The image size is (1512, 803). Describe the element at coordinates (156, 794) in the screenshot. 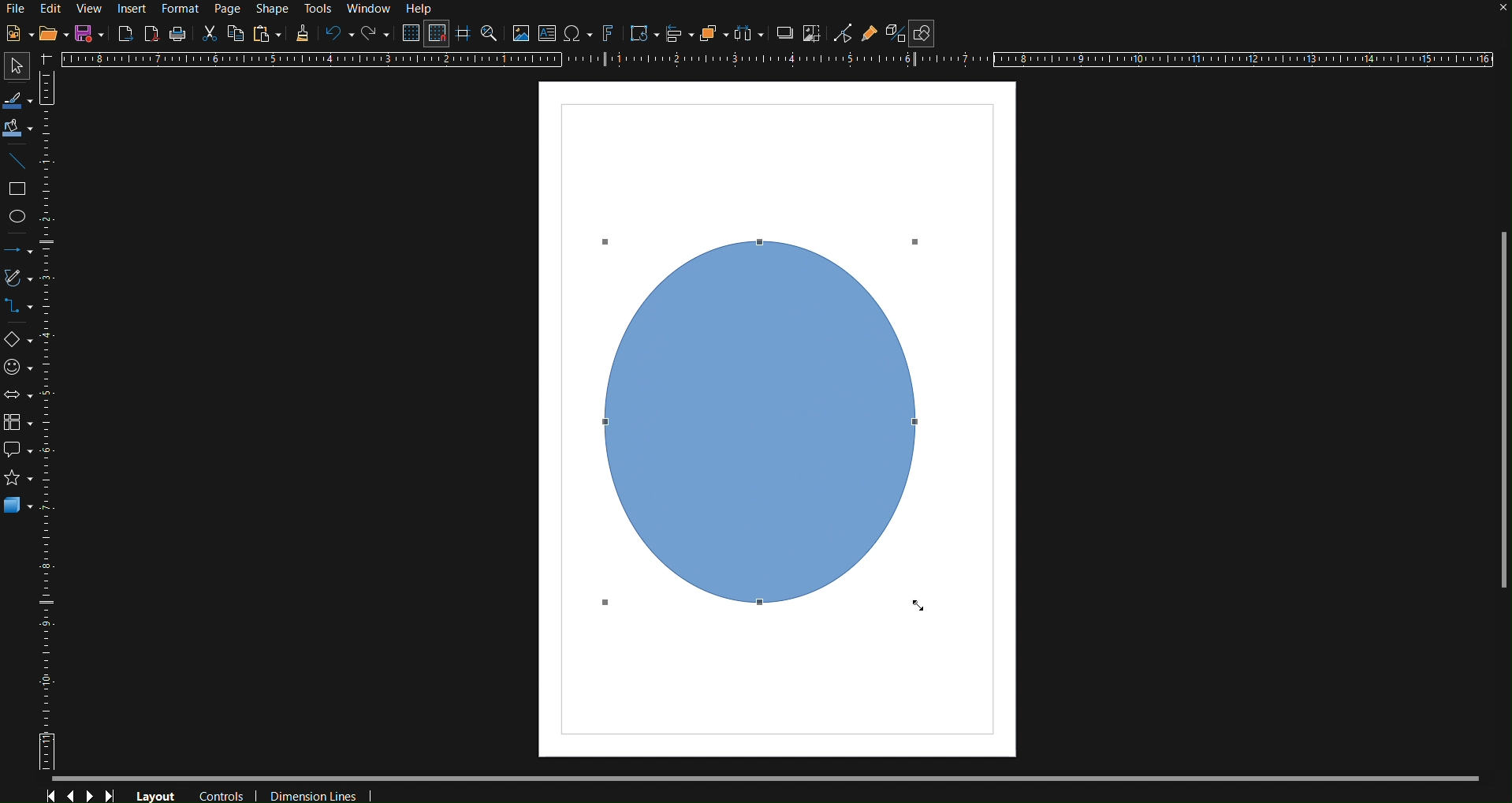

I see `Layout` at that location.